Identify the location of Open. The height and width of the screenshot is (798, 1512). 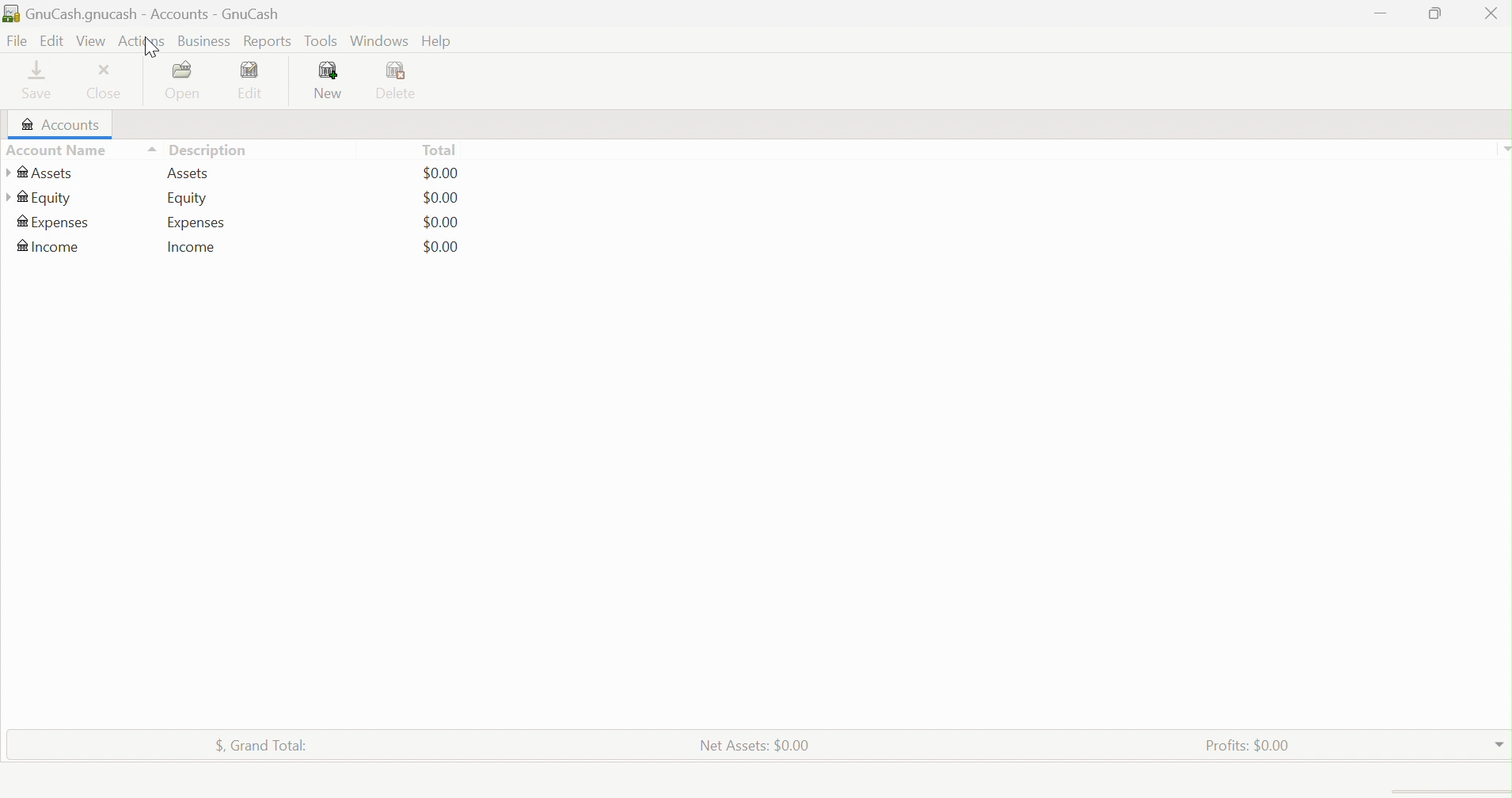
(186, 81).